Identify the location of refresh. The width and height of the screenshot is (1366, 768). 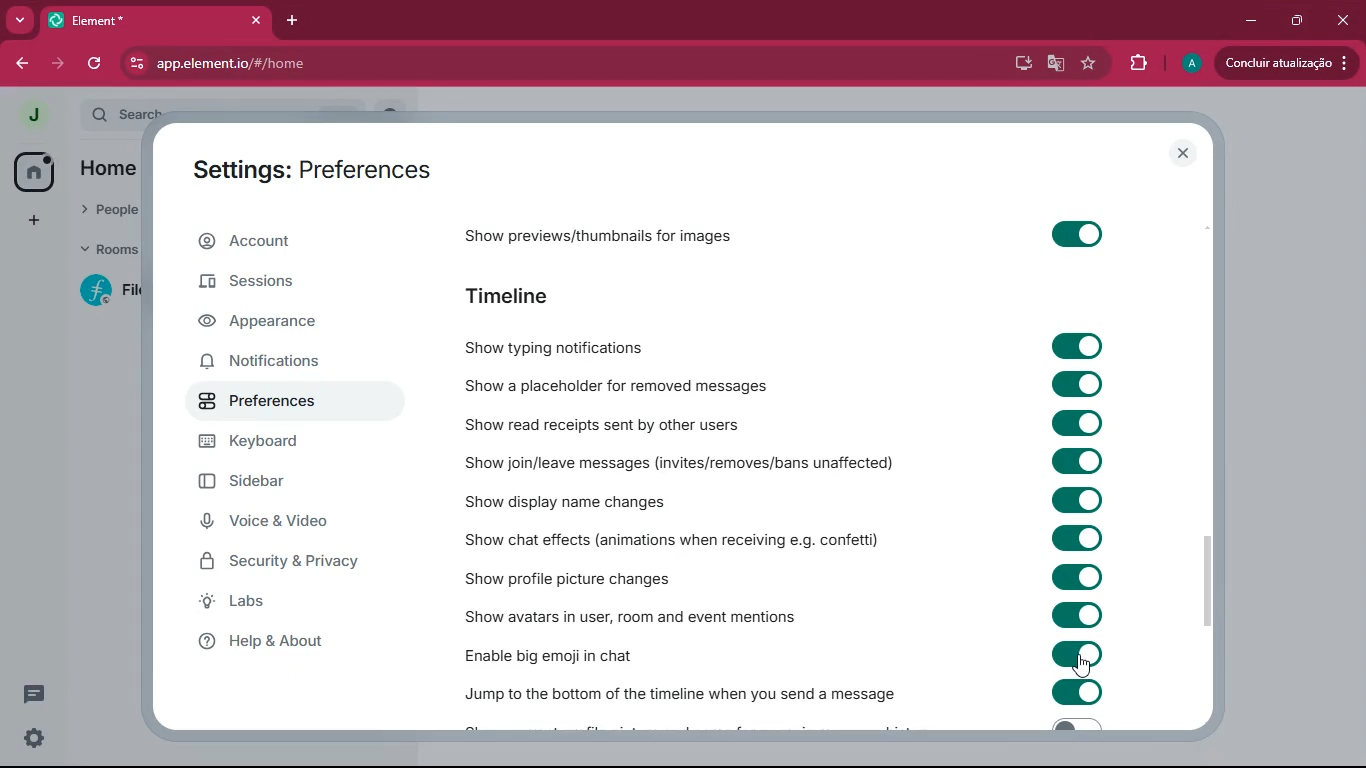
(96, 65).